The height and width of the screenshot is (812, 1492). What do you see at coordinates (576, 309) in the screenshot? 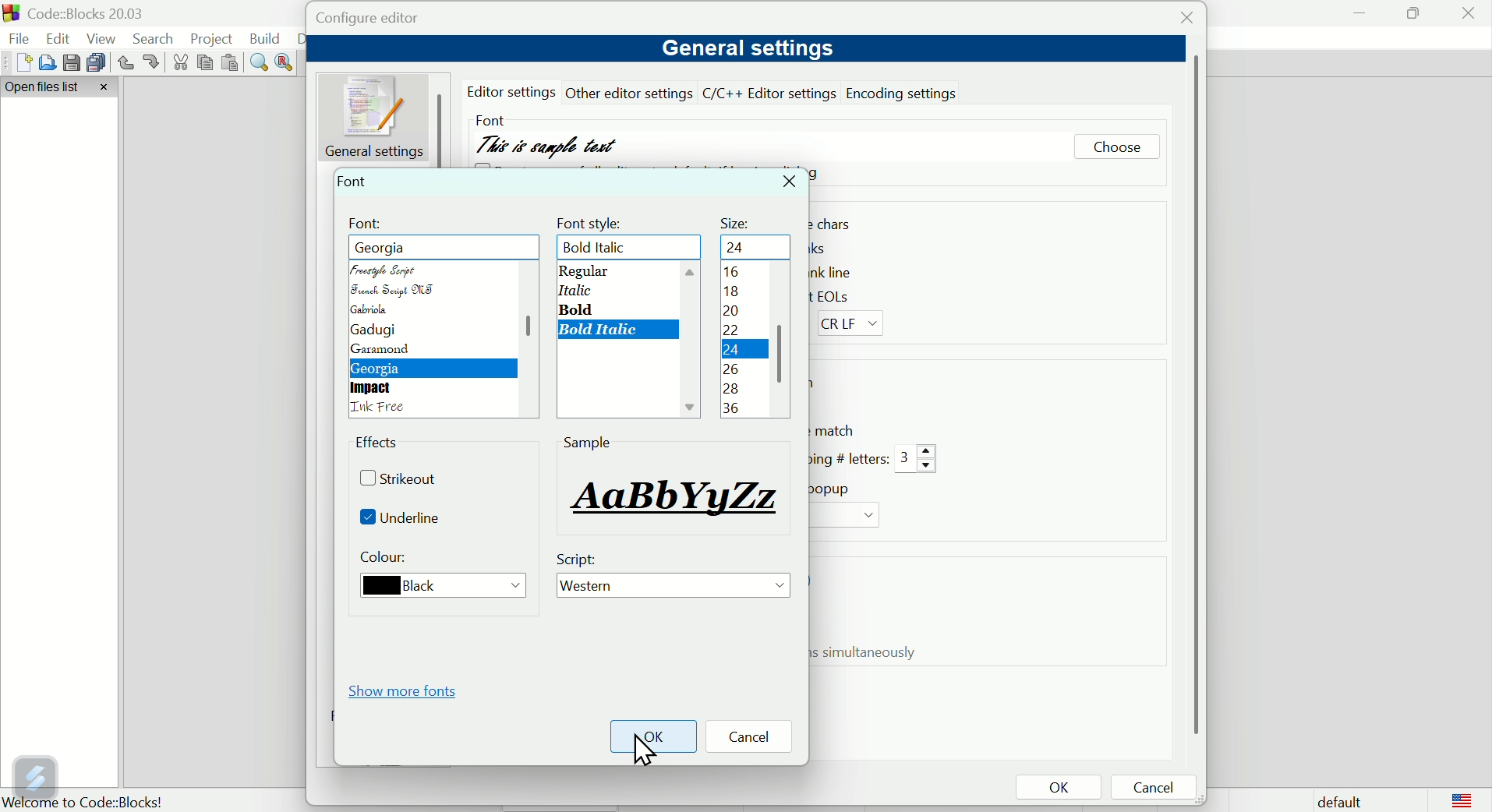
I see `Bold` at bounding box center [576, 309].